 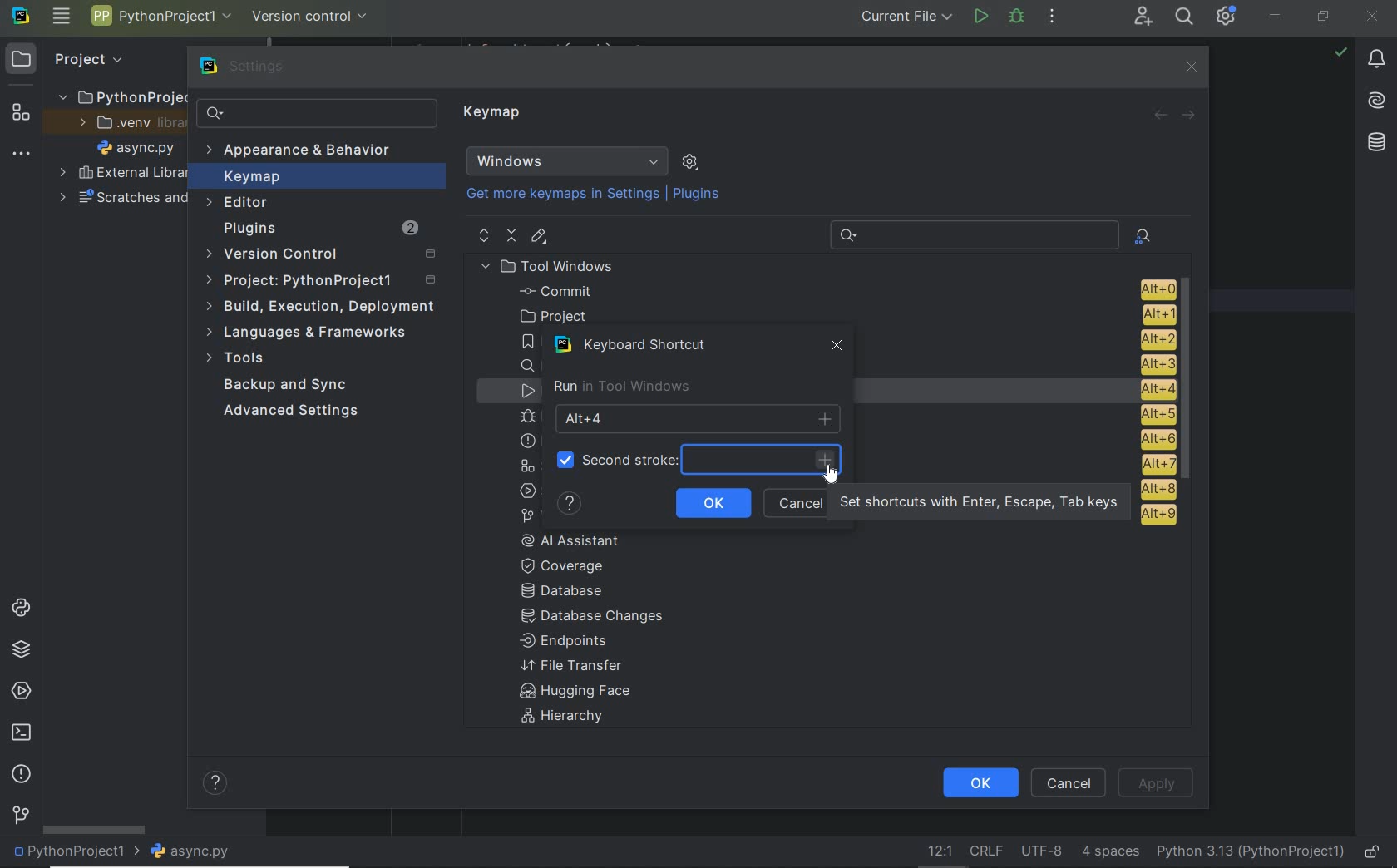 What do you see at coordinates (1227, 17) in the screenshot?
I see `IDE and Project Settings` at bounding box center [1227, 17].